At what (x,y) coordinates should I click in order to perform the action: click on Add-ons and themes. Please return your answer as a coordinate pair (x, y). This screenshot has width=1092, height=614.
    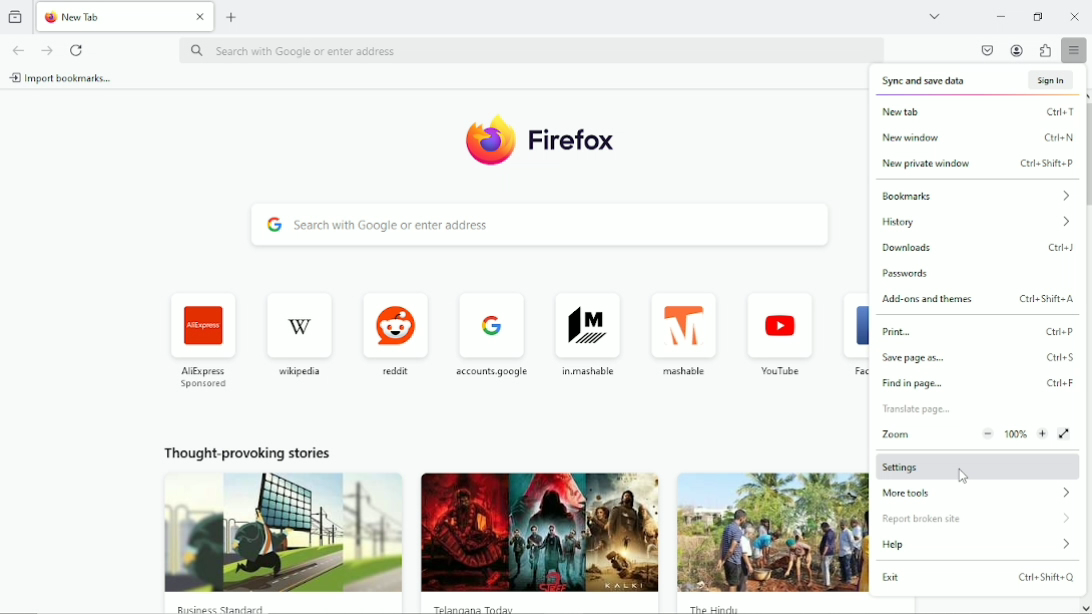
    Looking at the image, I should click on (978, 300).